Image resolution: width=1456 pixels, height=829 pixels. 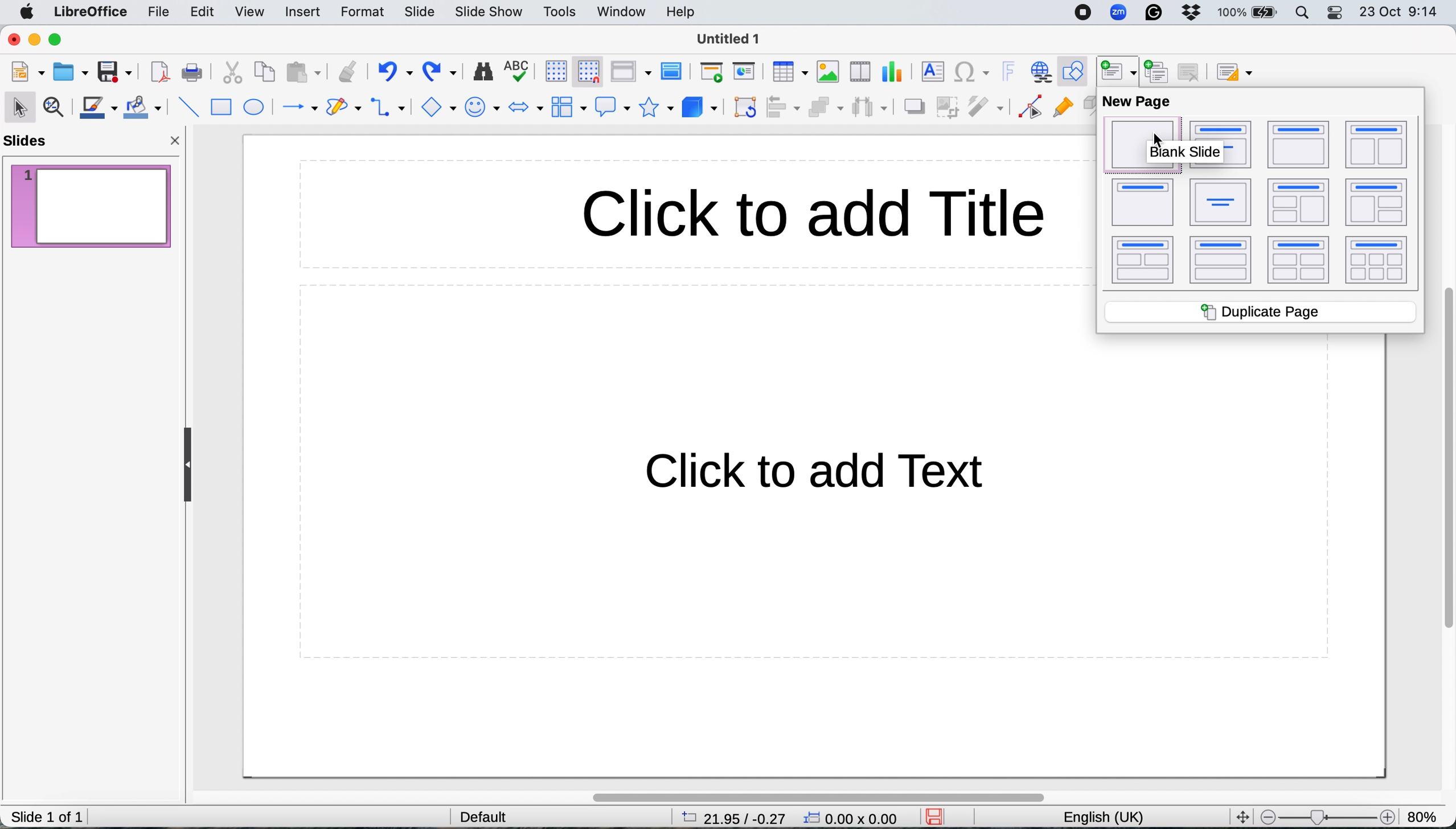 I want to click on fit screen, so click(x=1241, y=815).